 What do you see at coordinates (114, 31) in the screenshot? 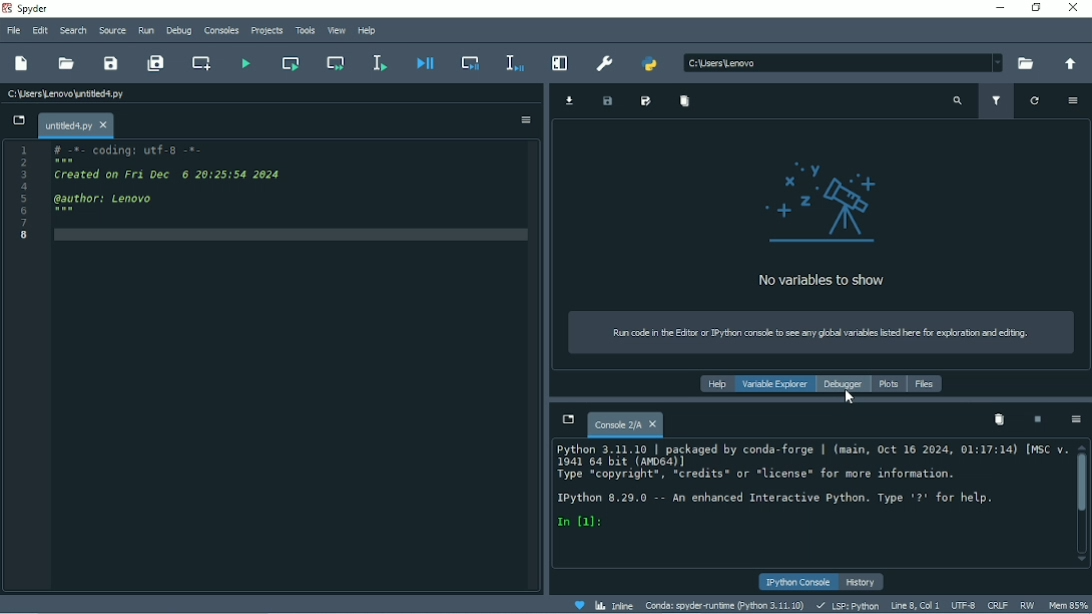
I see `Source` at bounding box center [114, 31].